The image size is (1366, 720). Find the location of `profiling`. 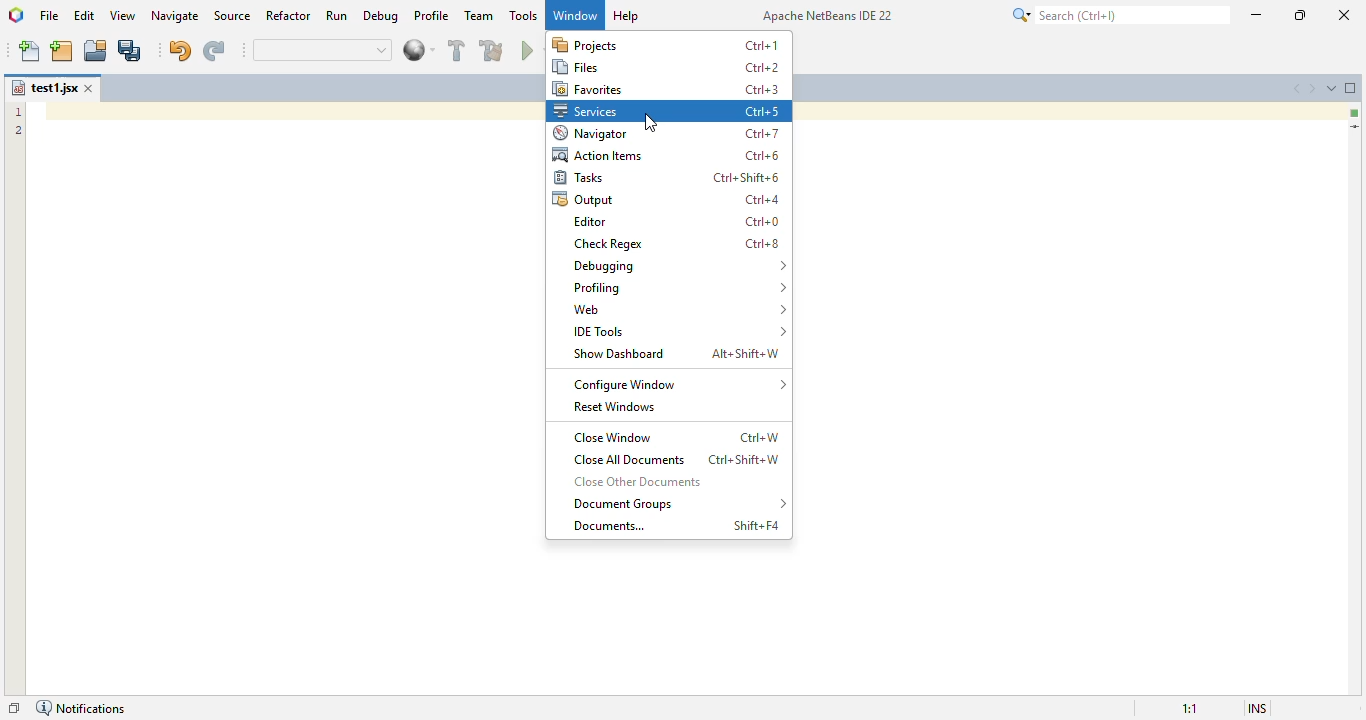

profiling is located at coordinates (677, 288).